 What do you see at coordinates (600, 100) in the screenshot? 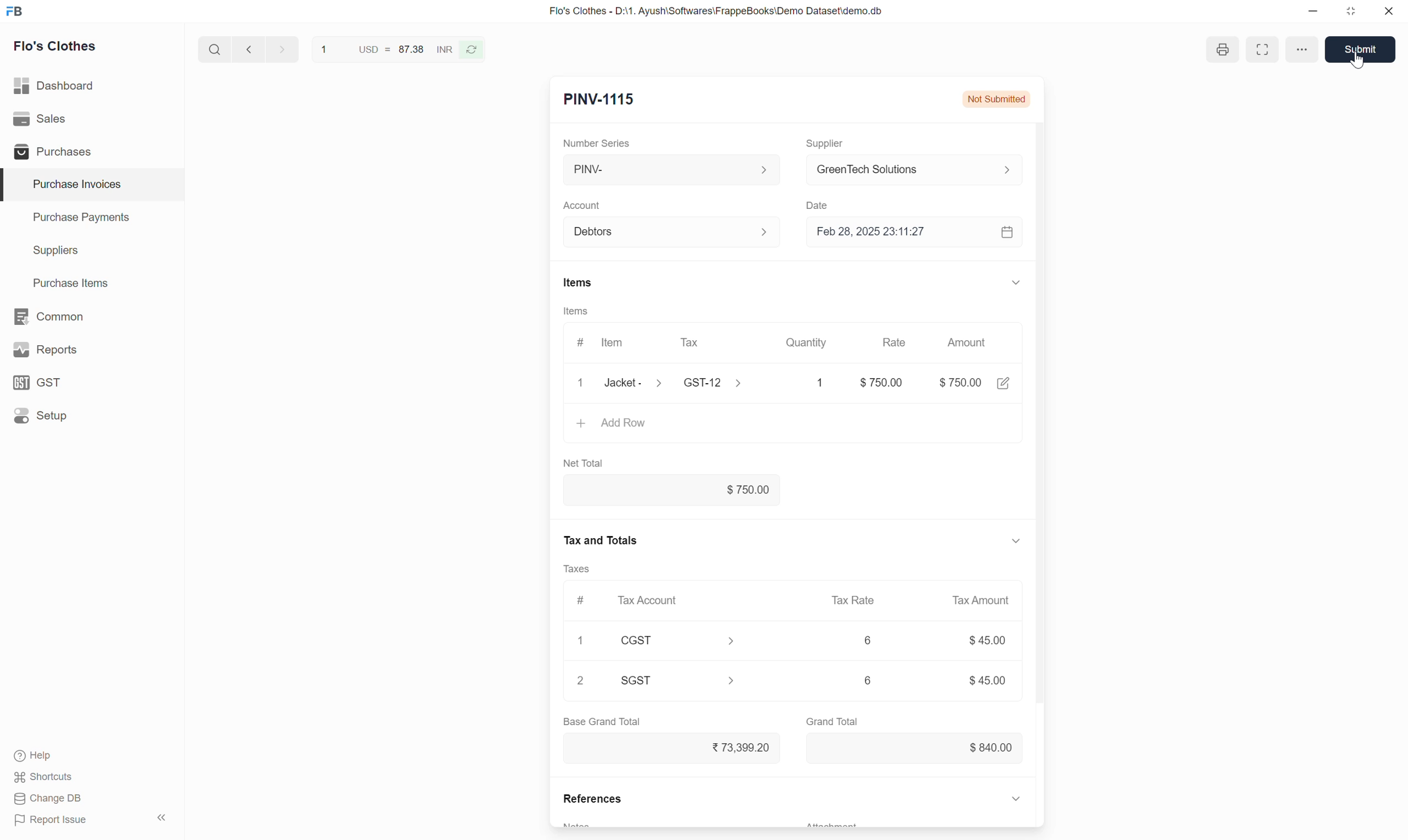
I see `New Entry` at bounding box center [600, 100].